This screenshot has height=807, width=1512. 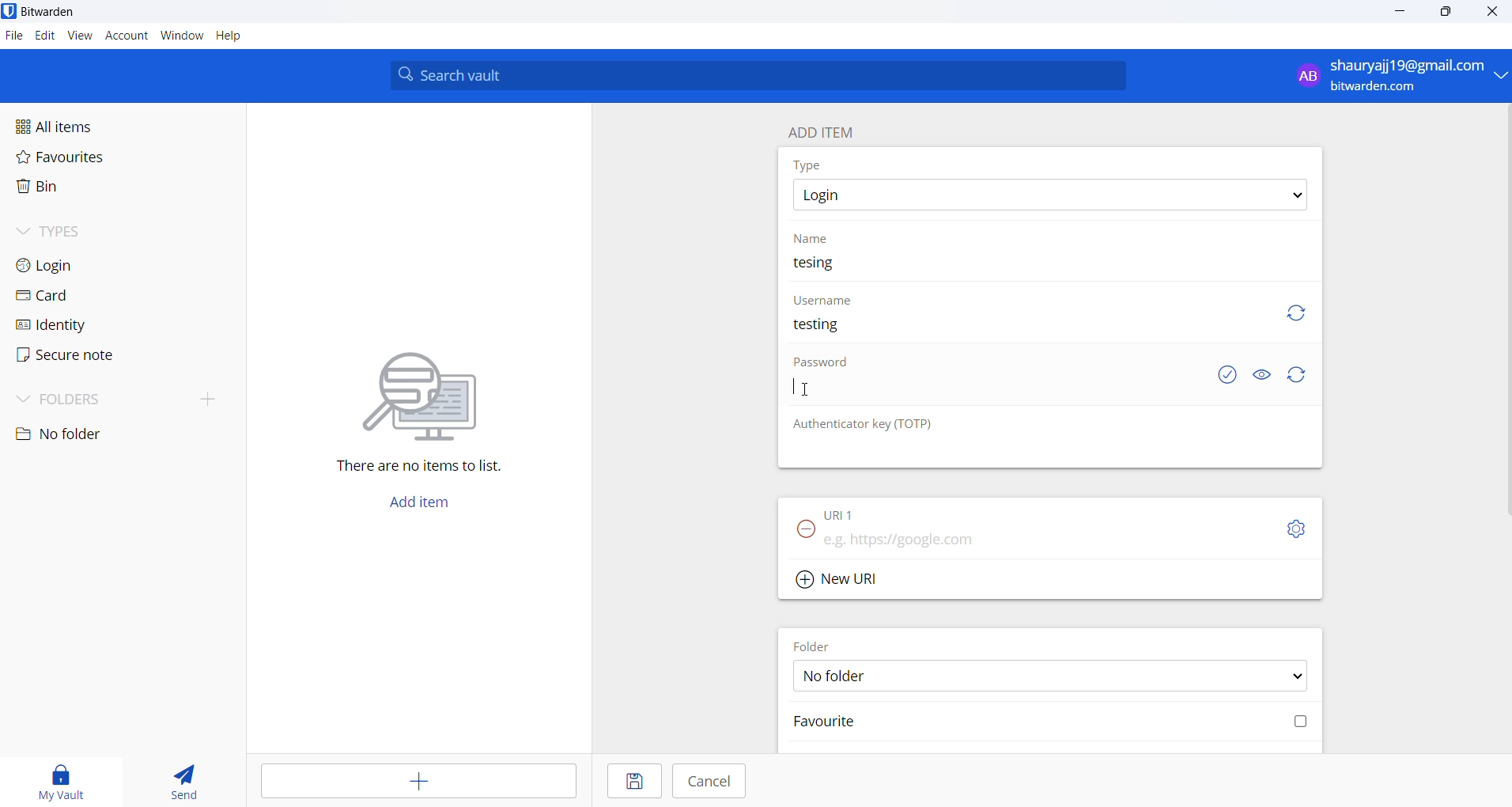 What do you see at coordinates (44, 36) in the screenshot?
I see `Edit` at bounding box center [44, 36].